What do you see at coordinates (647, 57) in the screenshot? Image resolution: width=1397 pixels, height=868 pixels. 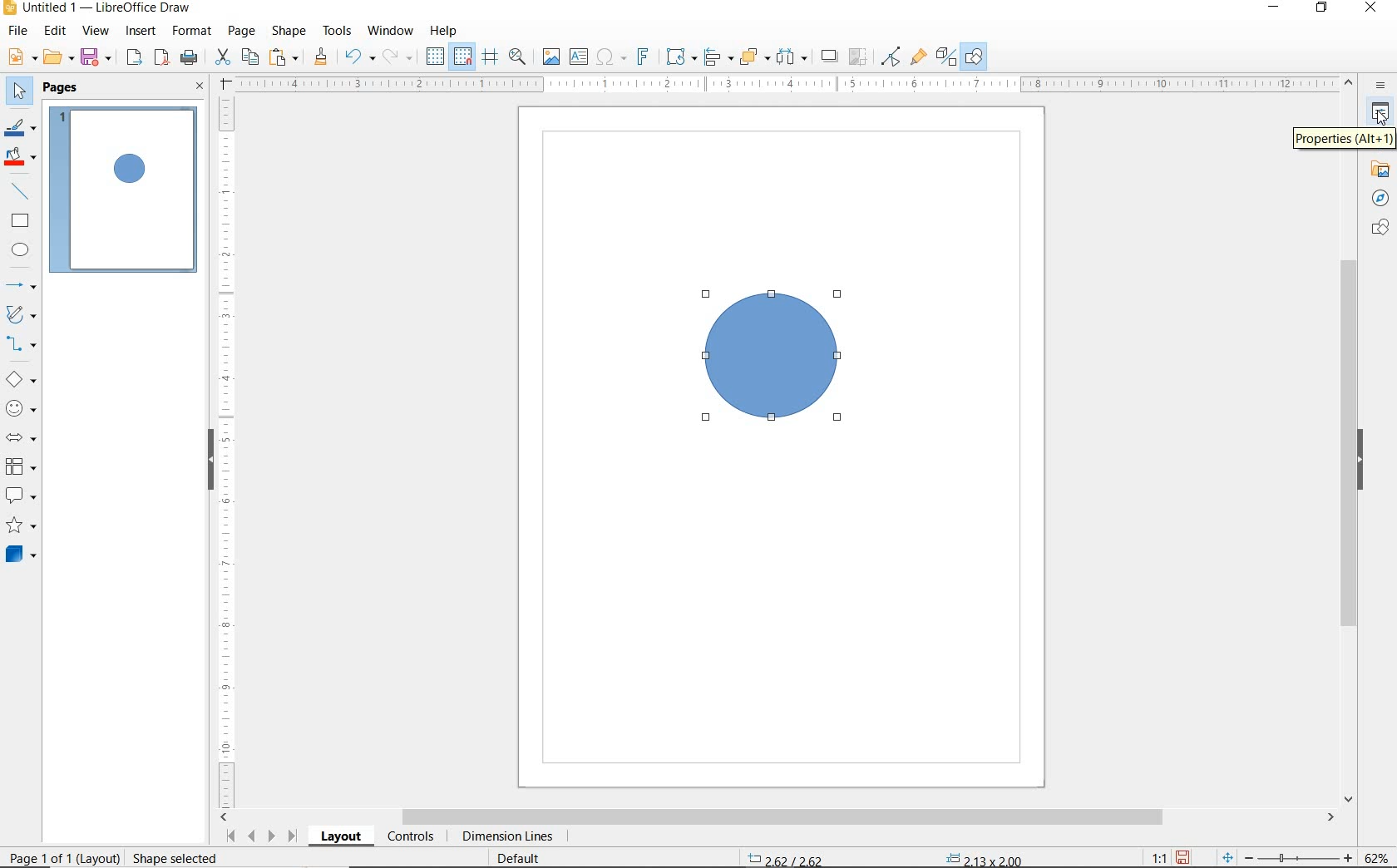 I see `INSERT FRONTWORK TEXT` at bounding box center [647, 57].